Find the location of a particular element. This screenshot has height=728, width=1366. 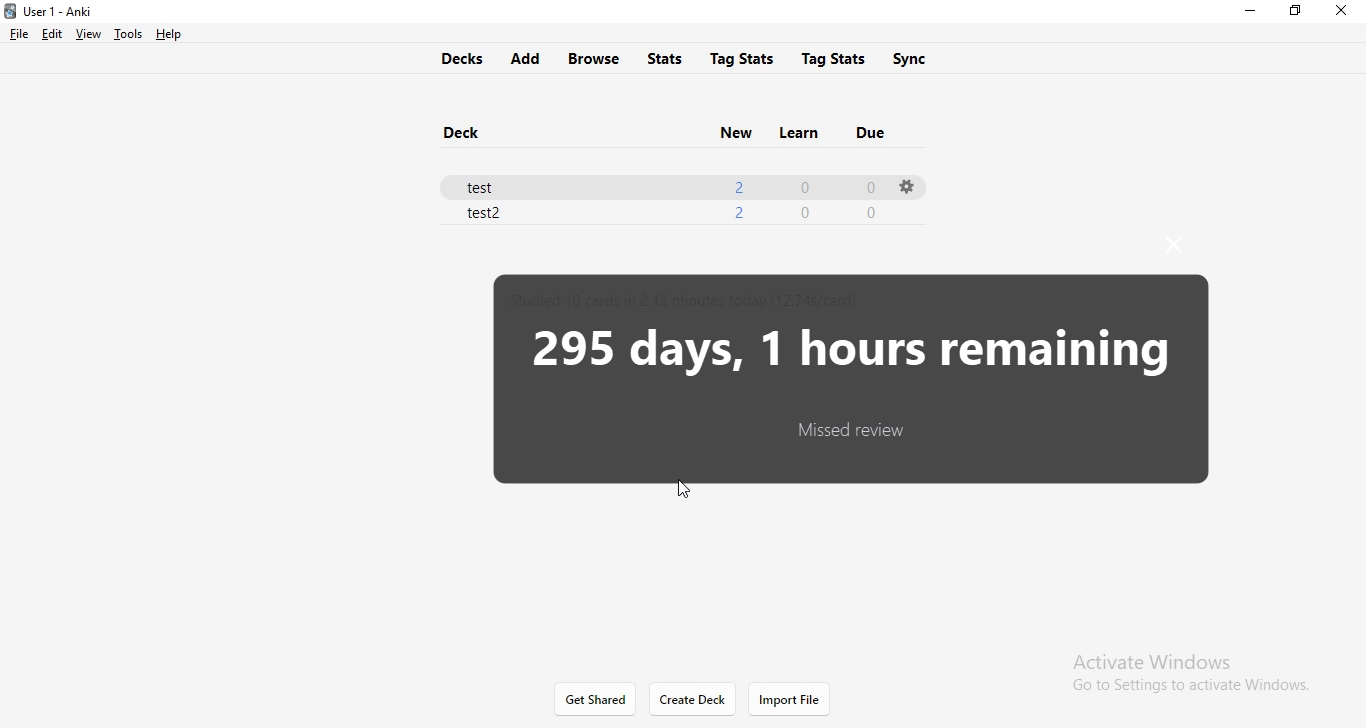

tools is located at coordinates (125, 34).